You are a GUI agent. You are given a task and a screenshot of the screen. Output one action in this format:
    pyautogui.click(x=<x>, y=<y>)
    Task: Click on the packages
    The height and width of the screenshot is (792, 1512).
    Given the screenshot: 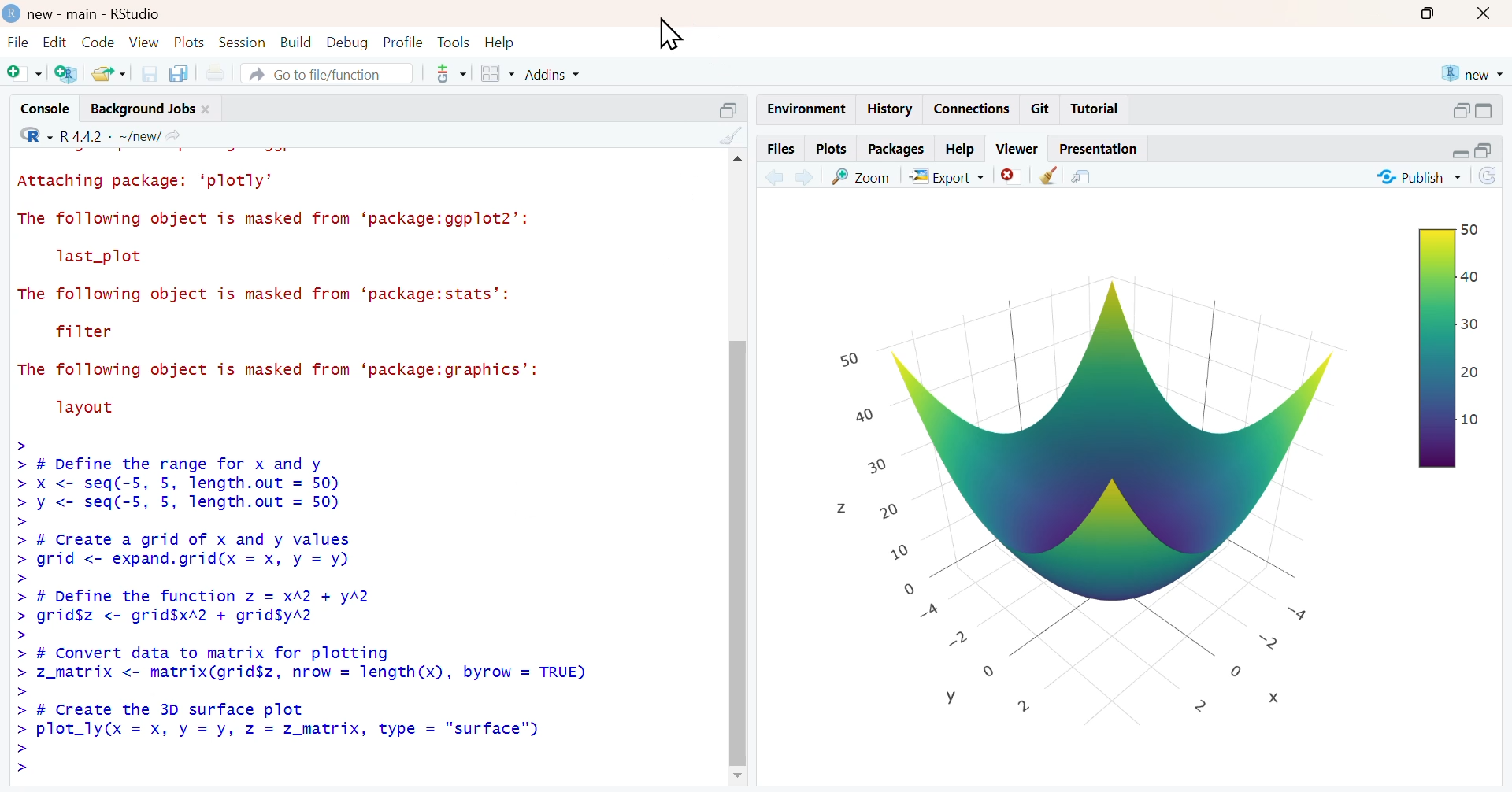 What is the action you would take?
    pyautogui.click(x=895, y=150)
    